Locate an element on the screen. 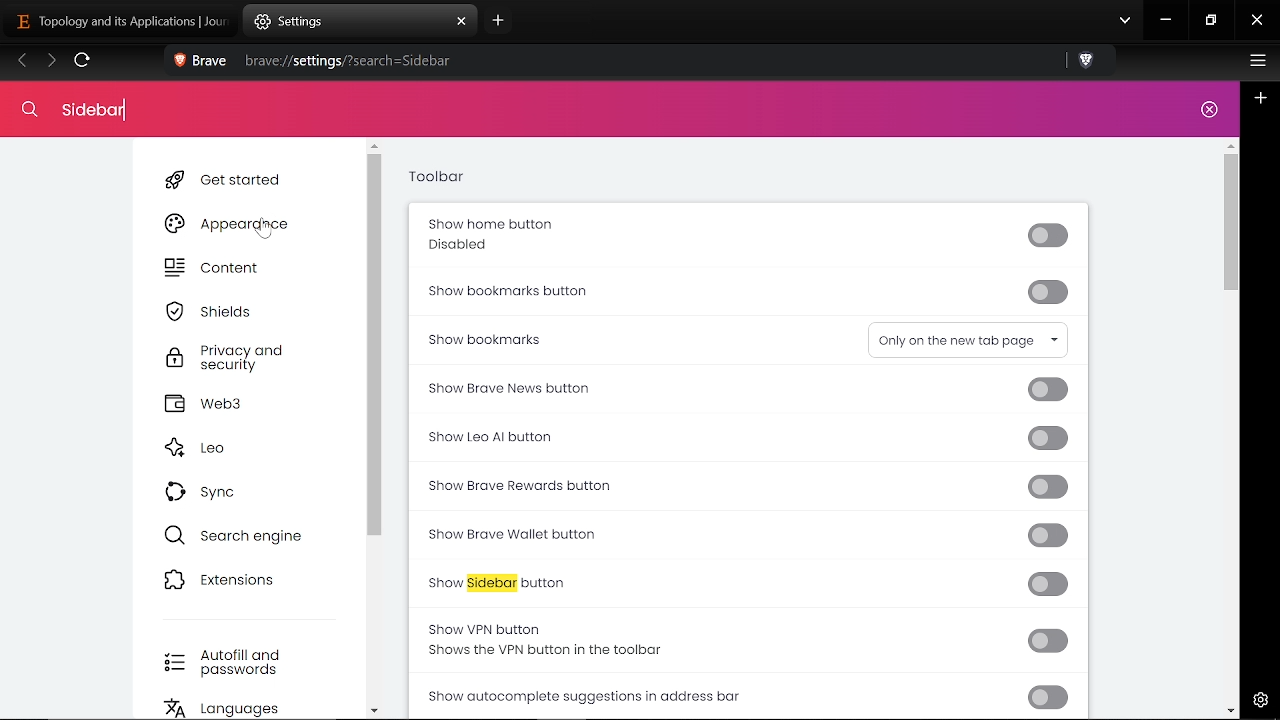  OPtions for show bookmark is located at coordinates (968, 339).